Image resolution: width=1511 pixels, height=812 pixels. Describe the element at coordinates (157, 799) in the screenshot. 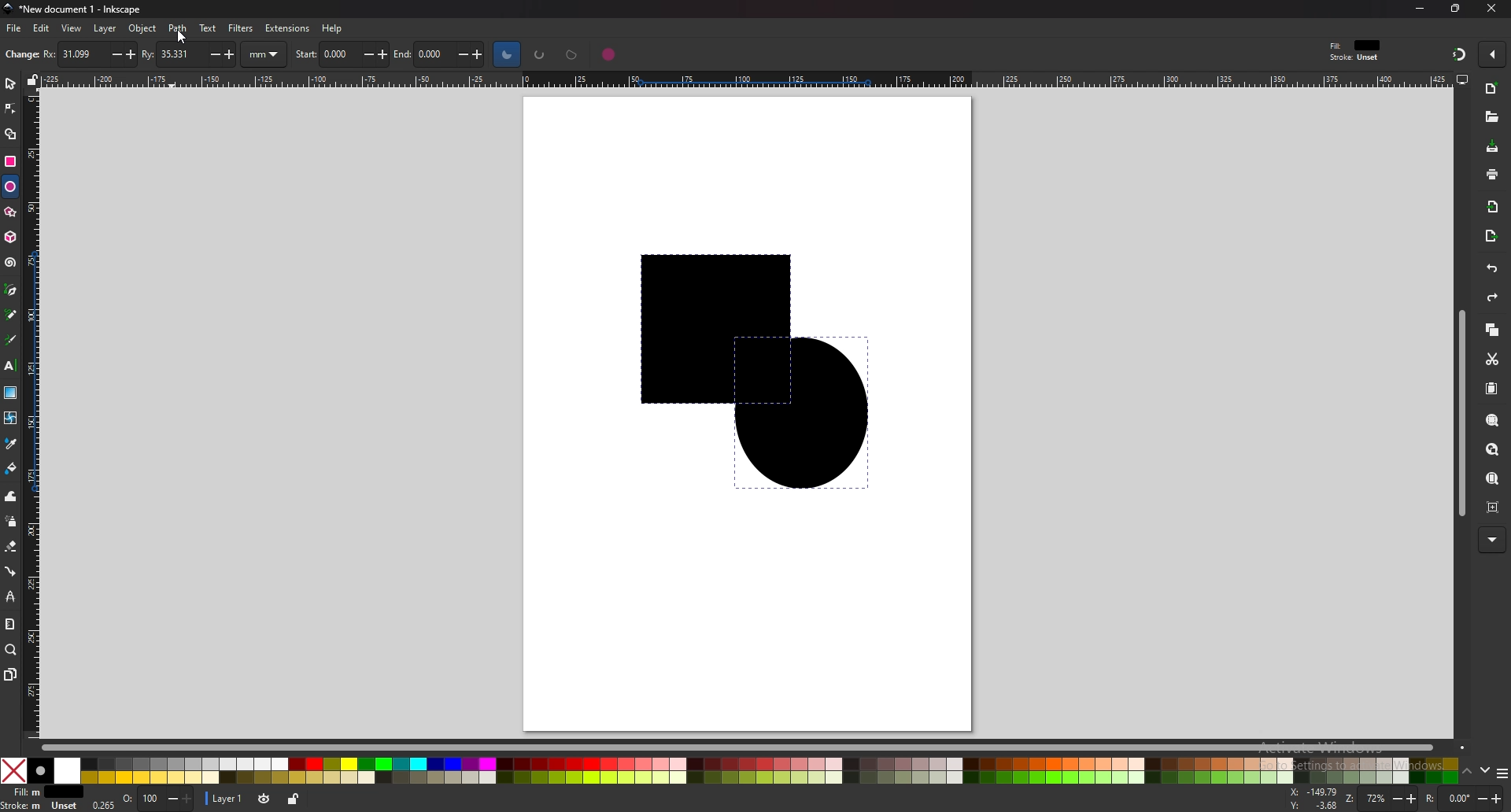

I see `opacity` at that location.